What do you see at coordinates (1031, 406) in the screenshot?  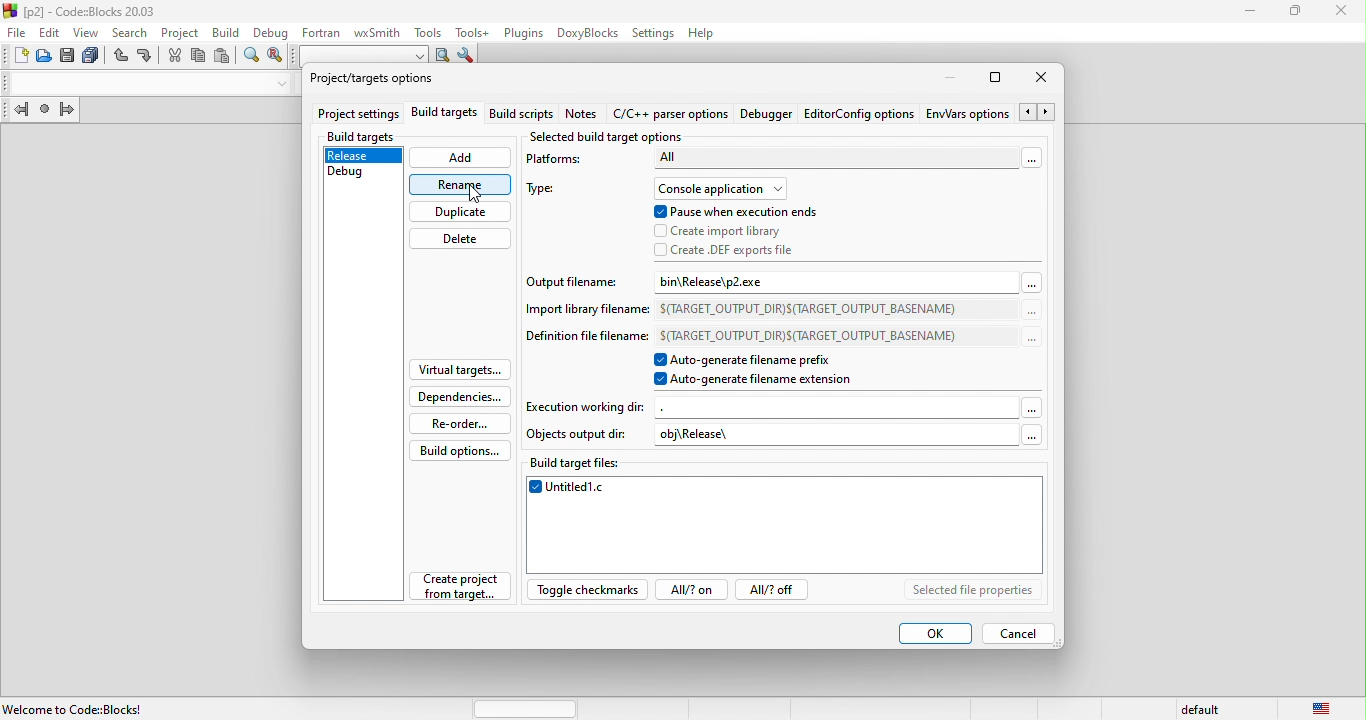 I see `More` at bounding box center [1031, 406].